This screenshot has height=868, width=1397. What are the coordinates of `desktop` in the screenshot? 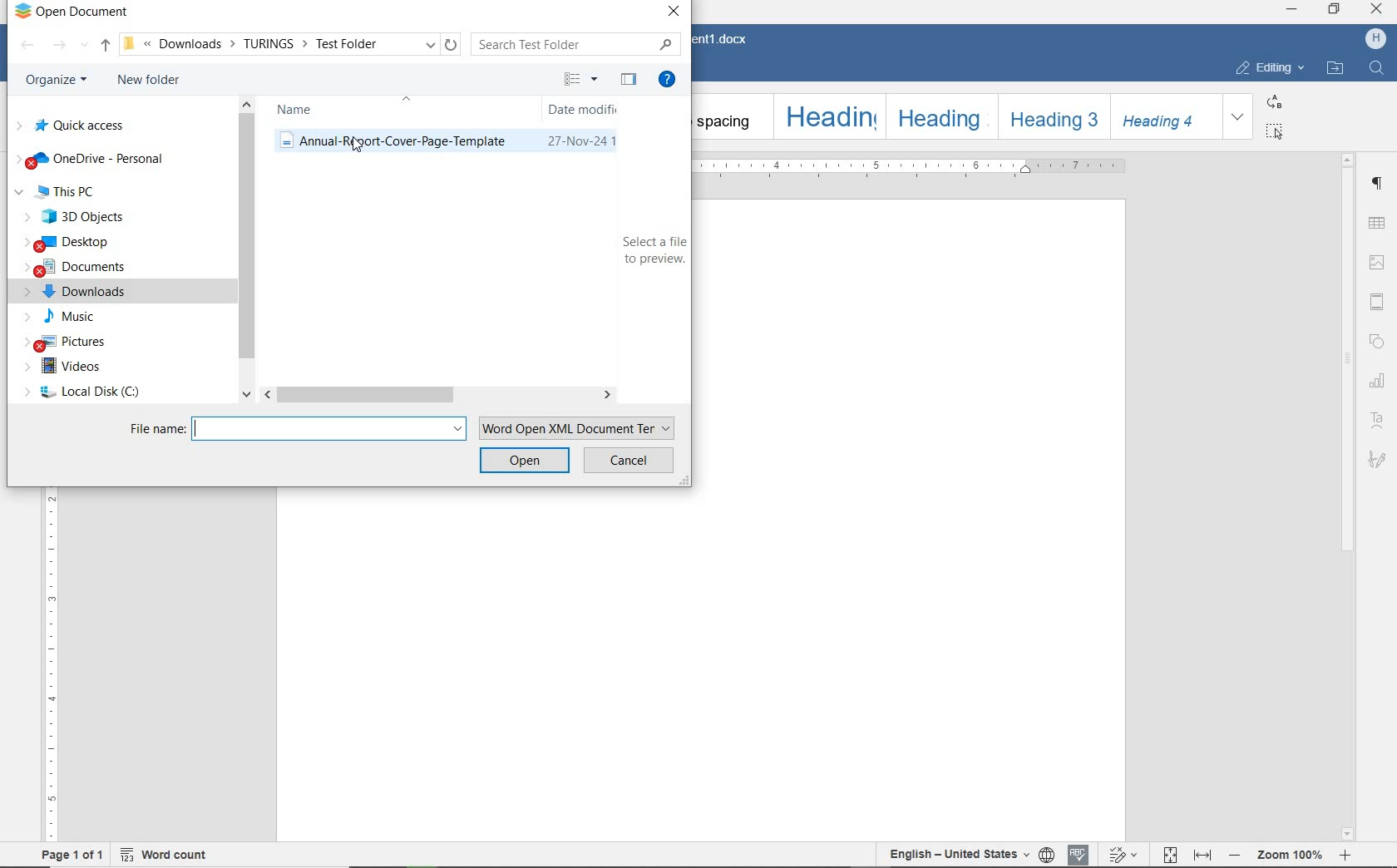 It's located at (77, 243).